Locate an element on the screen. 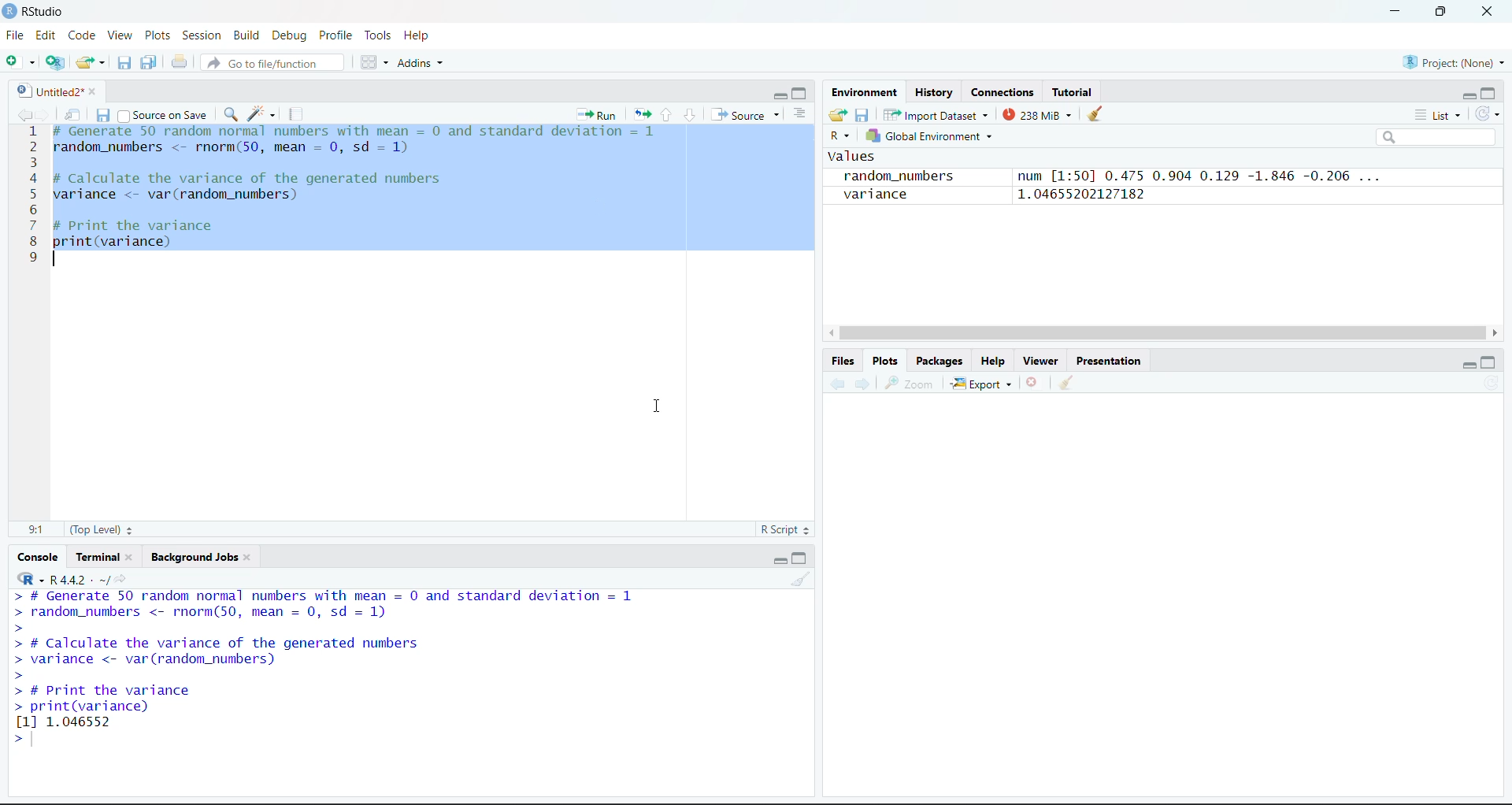  down is located at coordinates (689, 115).